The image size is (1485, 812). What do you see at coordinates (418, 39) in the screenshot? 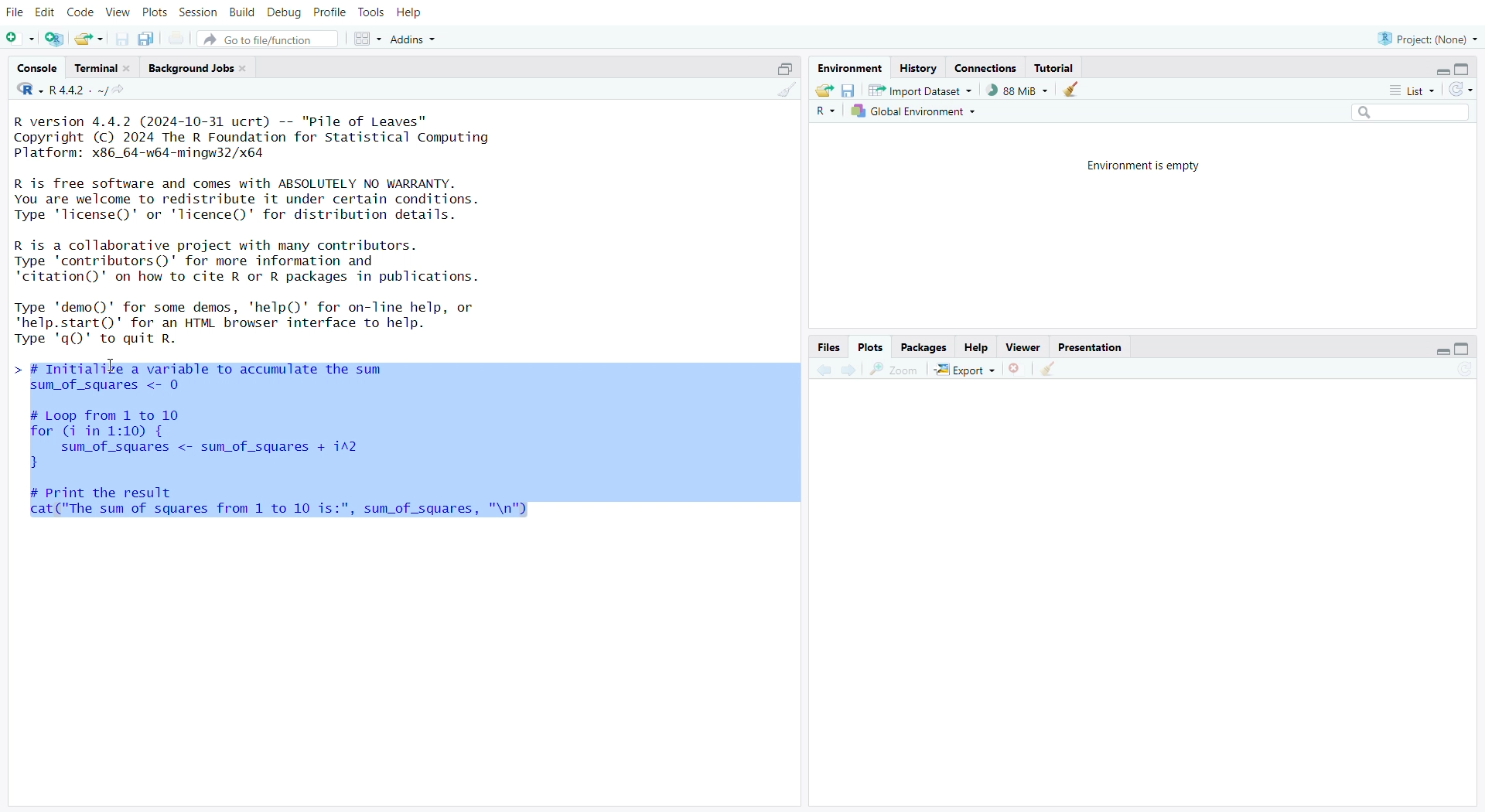
I see `addins` at bounding box center [418, 39].